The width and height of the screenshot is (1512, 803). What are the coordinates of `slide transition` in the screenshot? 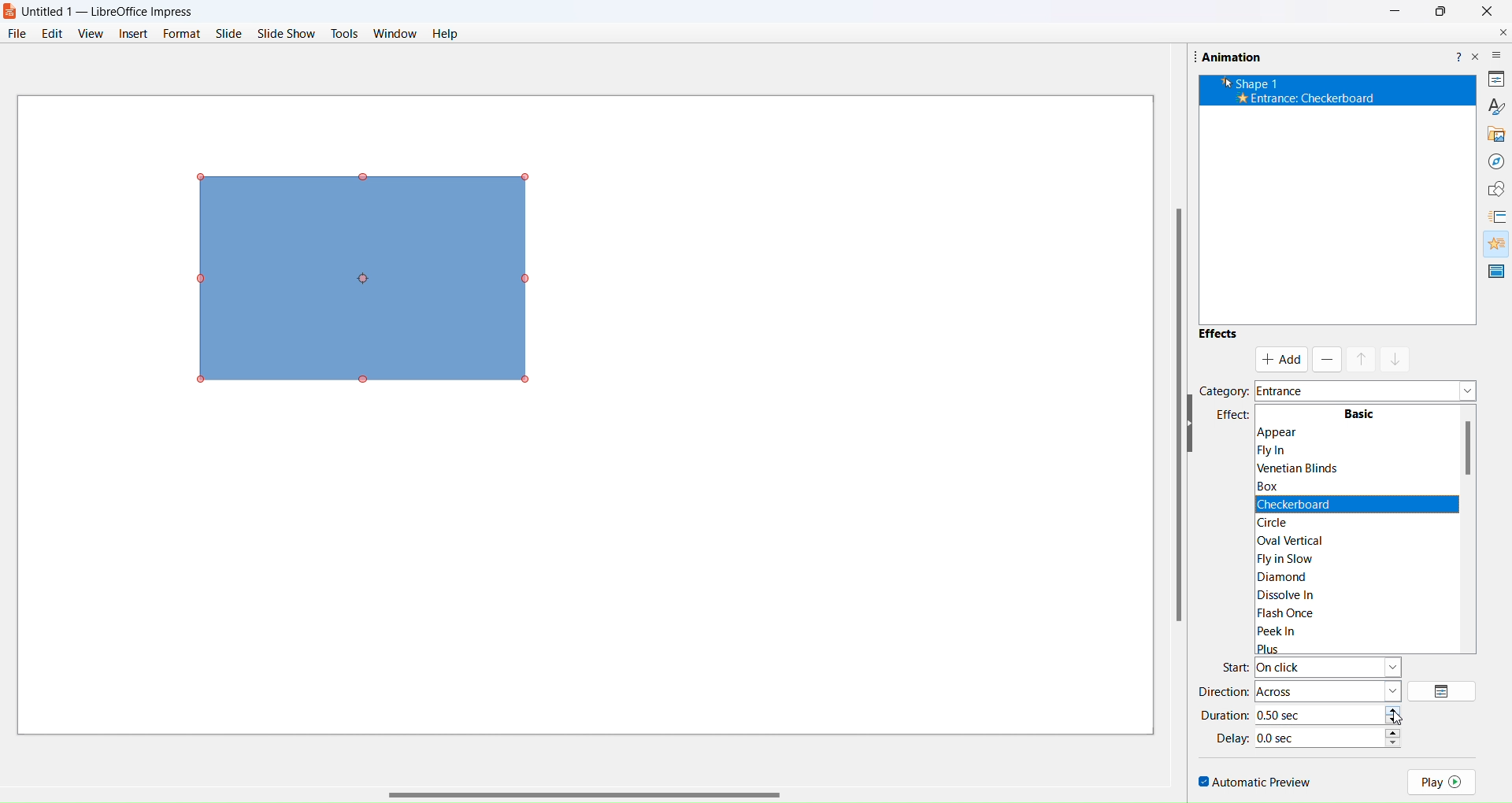 It's located at (1499, 216).